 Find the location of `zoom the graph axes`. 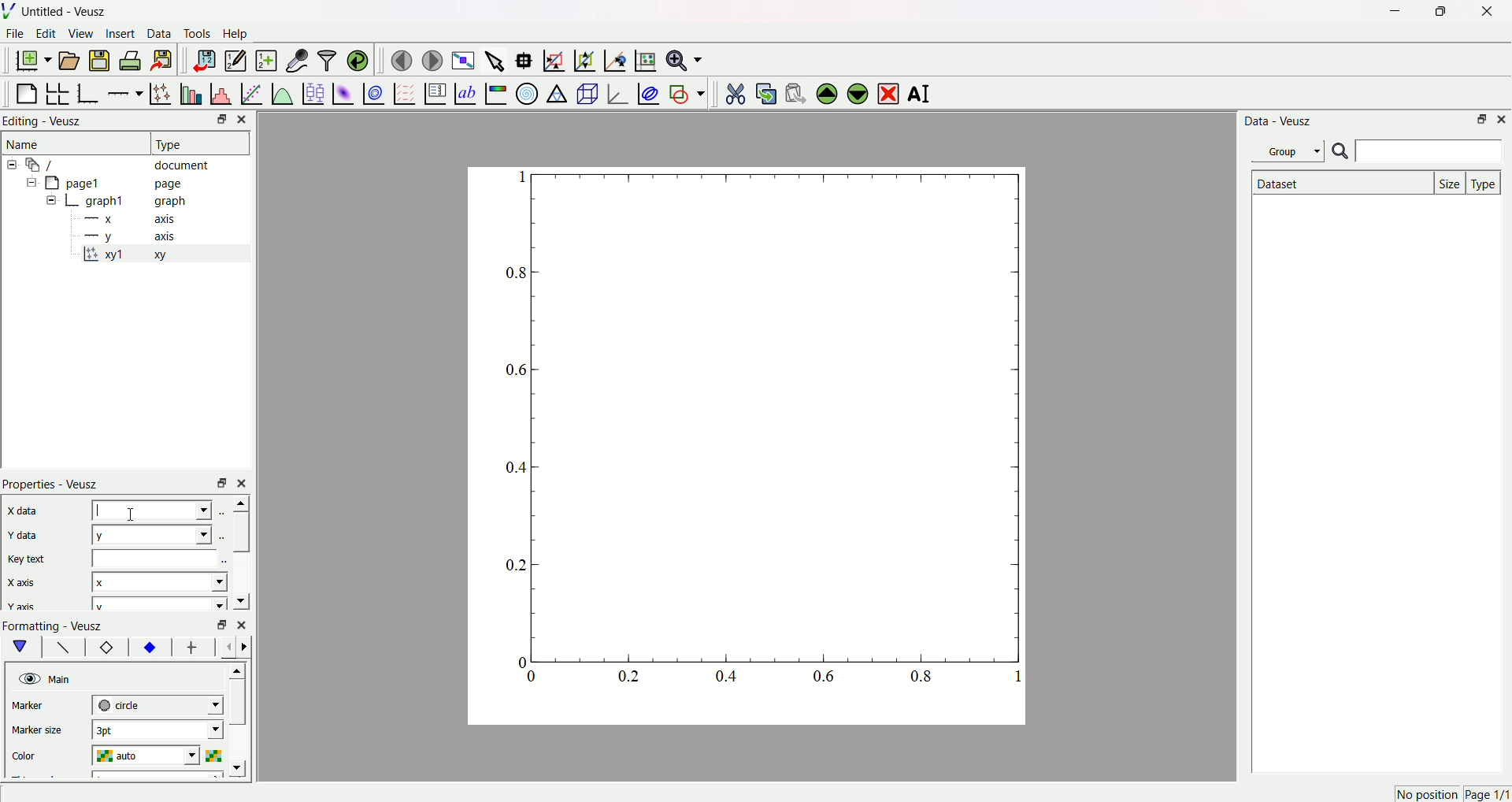

zoom the graph axes is located at coordinates (582, 58).